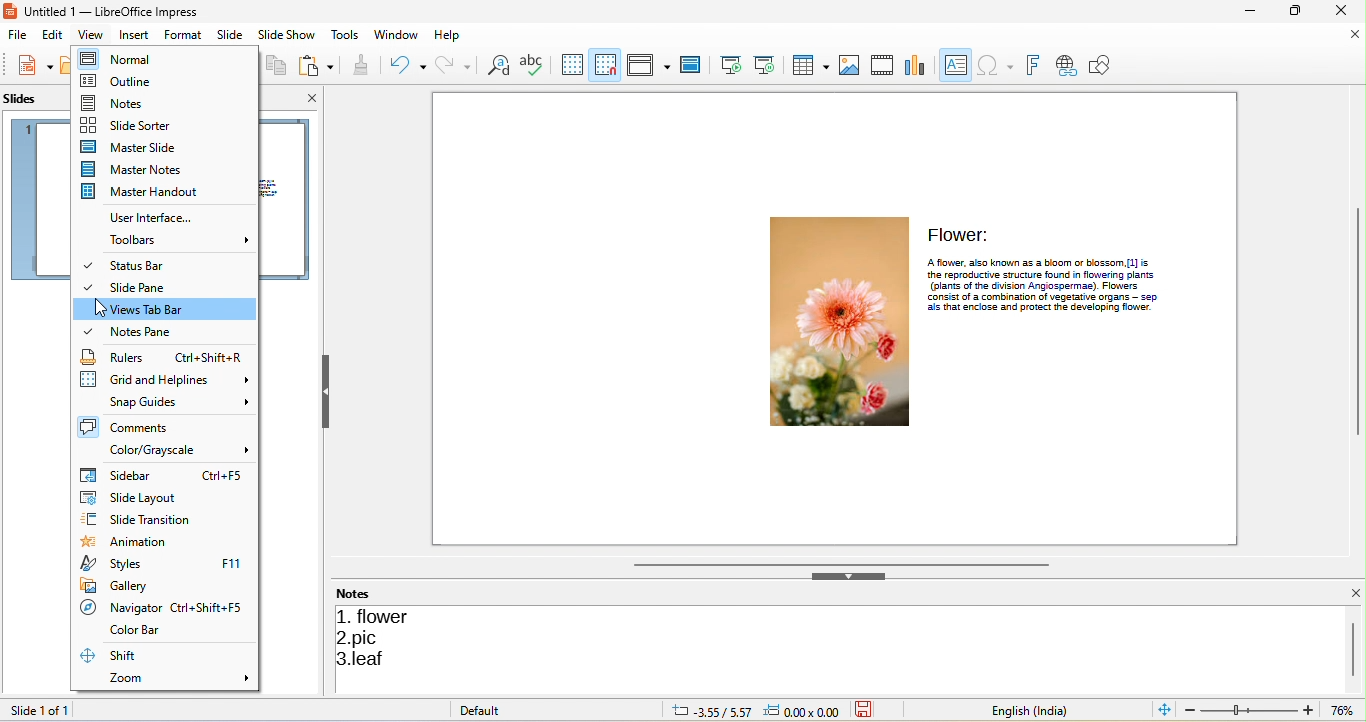 This screenshot has height=722, width=1366. I want to click on edit zoom, so click(1249, 710).